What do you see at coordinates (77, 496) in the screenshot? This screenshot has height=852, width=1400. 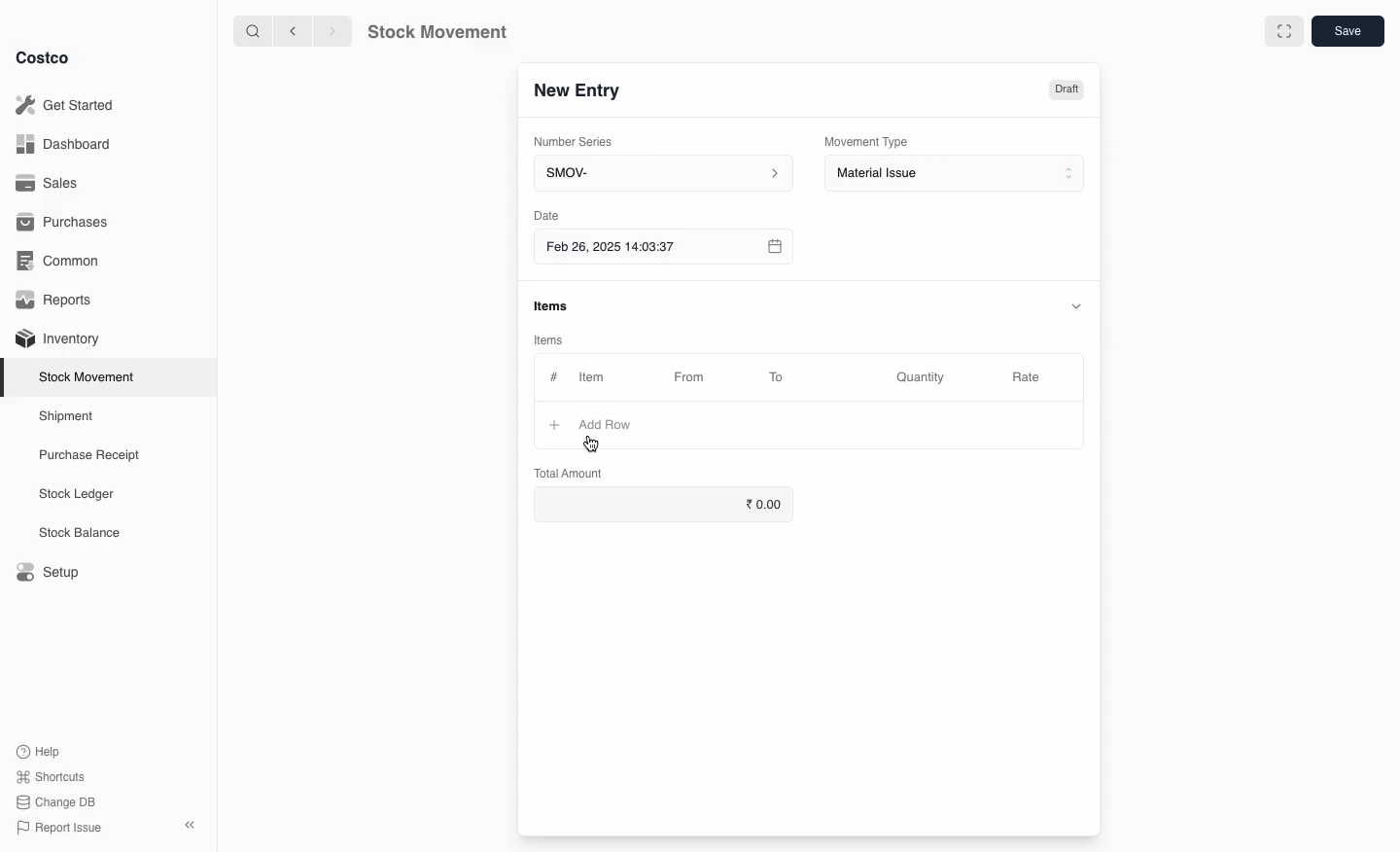 I see `Stock Ledger` at bounding box center [77, 496].